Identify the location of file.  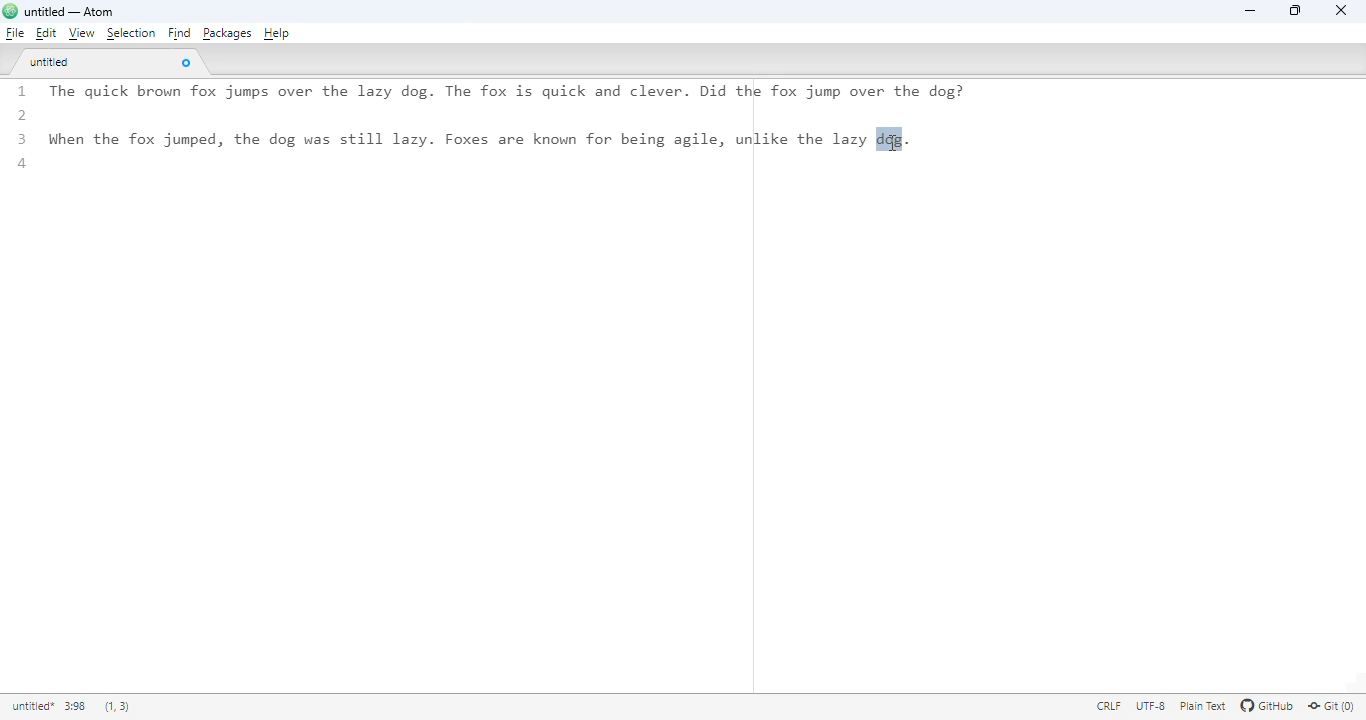
(14, 32).